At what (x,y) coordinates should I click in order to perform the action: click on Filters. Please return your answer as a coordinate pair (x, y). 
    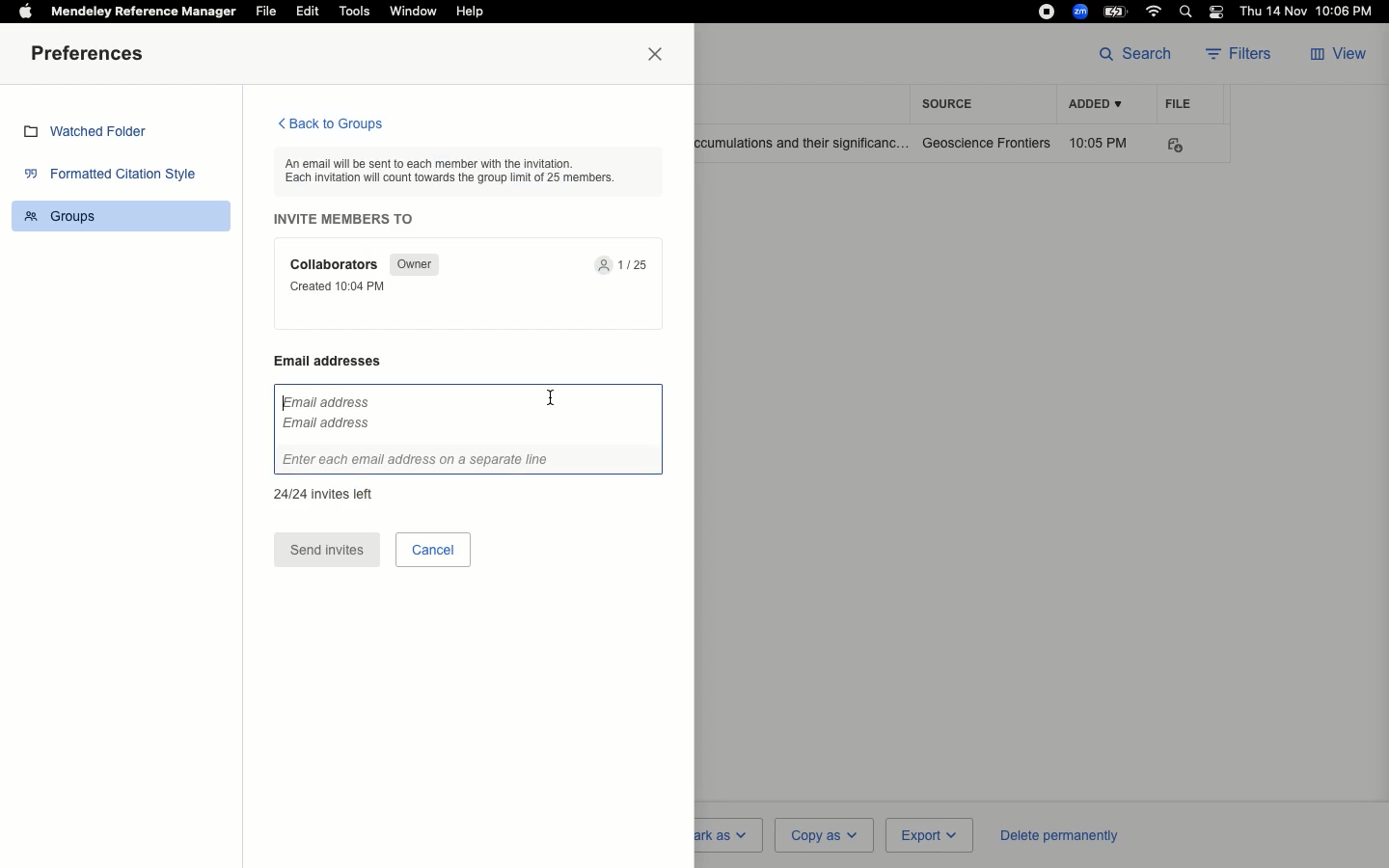
    Looking at the image, I should click on (1244, 55).